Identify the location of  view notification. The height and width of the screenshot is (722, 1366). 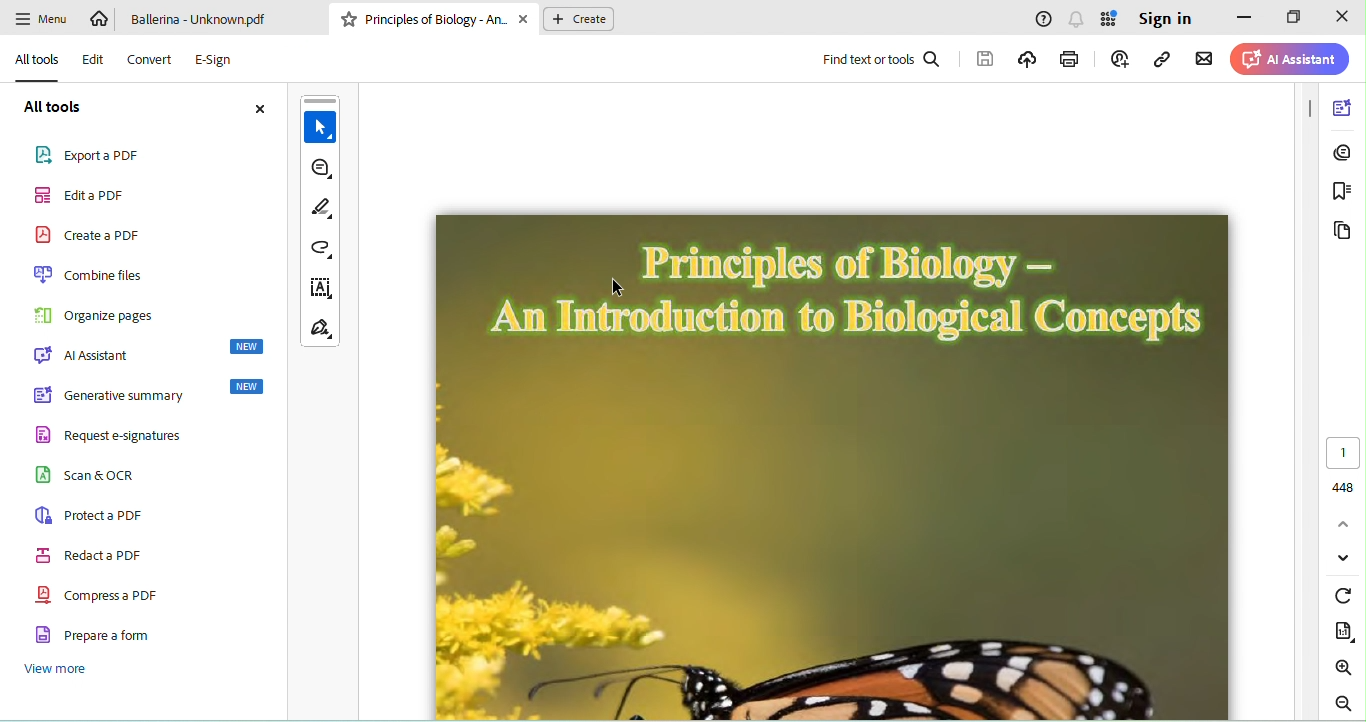
(1079, 21).